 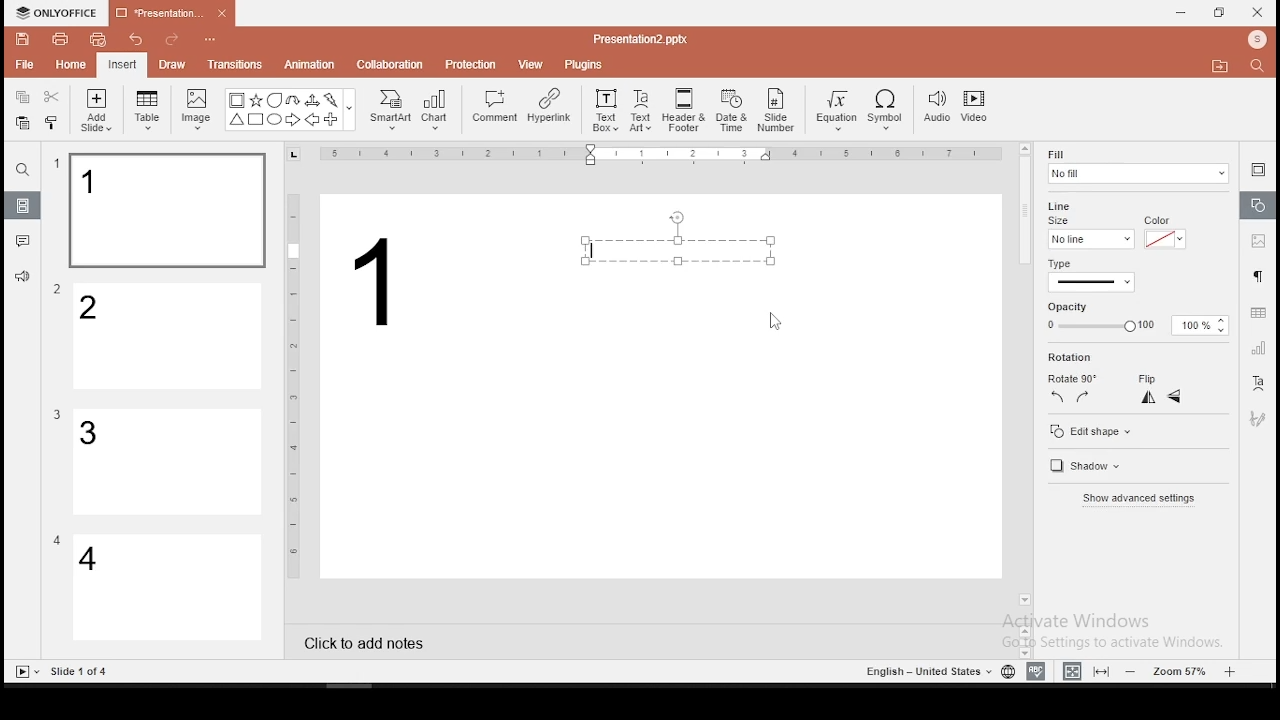 What do you see at coordinates (1223, 68) in the screenshot?
I see `Move to folder` at bounding box center [1223, 68].